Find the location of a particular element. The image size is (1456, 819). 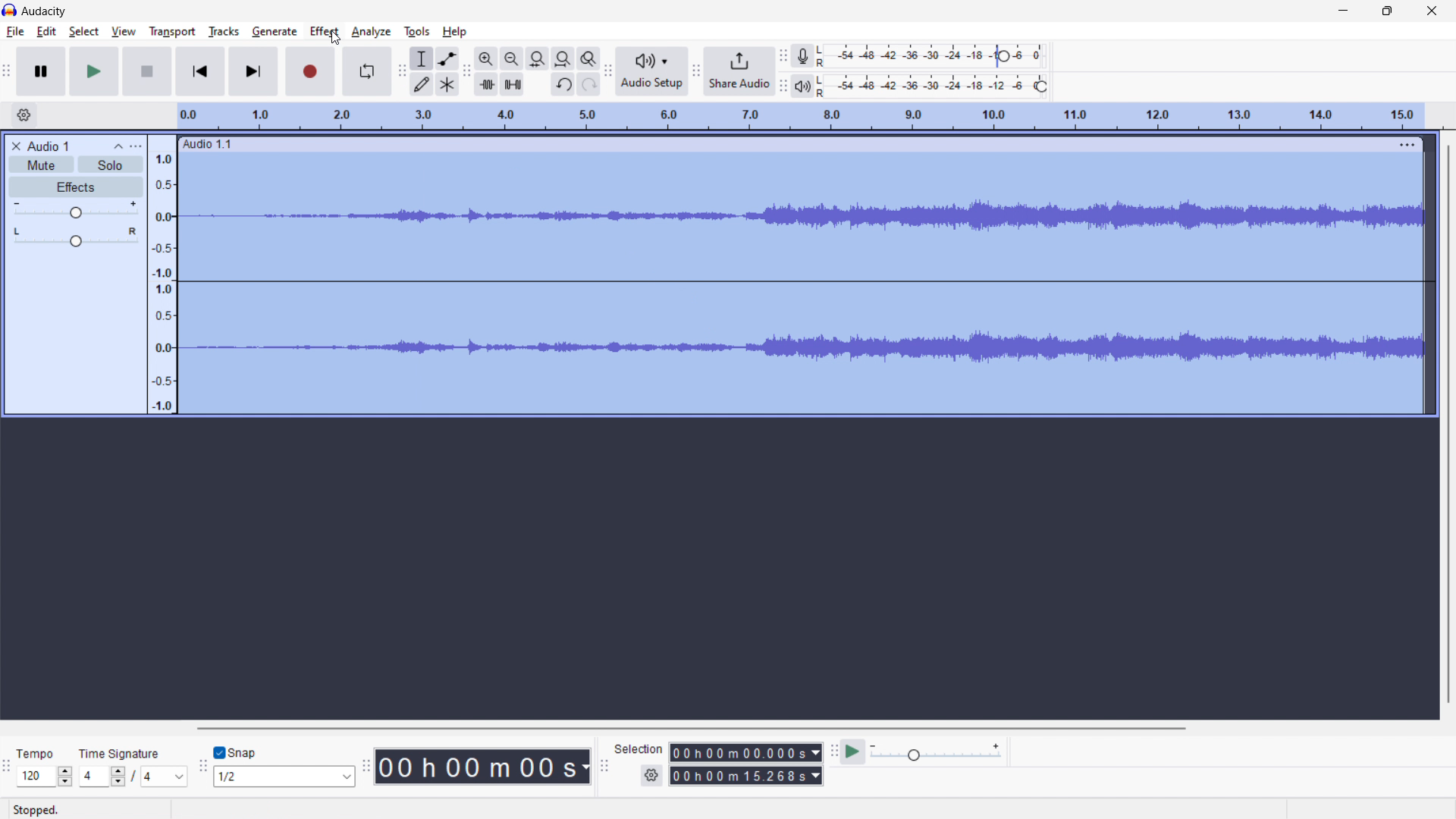

tools toolbar is located at coordinates (402, 71).